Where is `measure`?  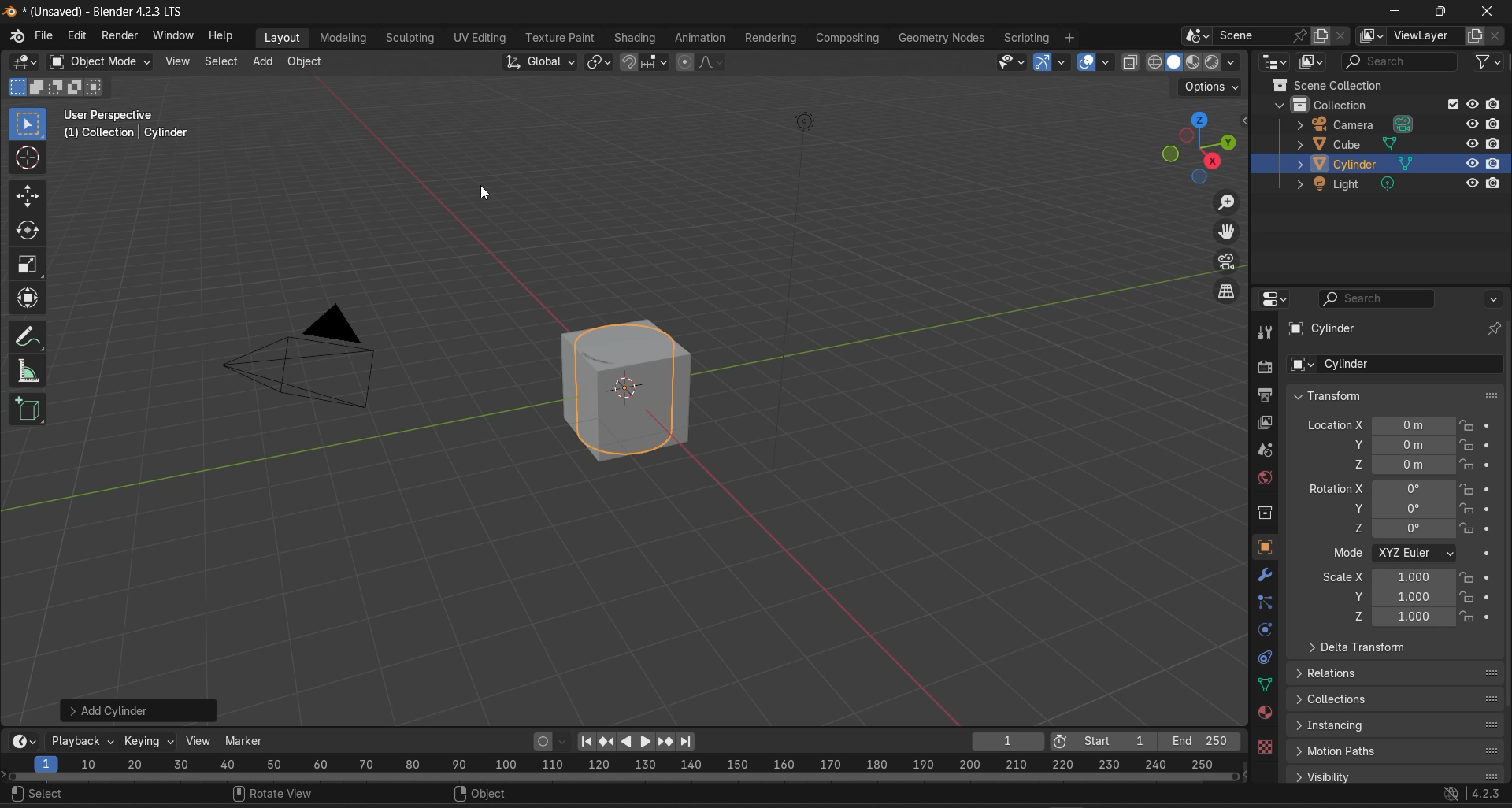 measure is located at coordinates (31, 374).